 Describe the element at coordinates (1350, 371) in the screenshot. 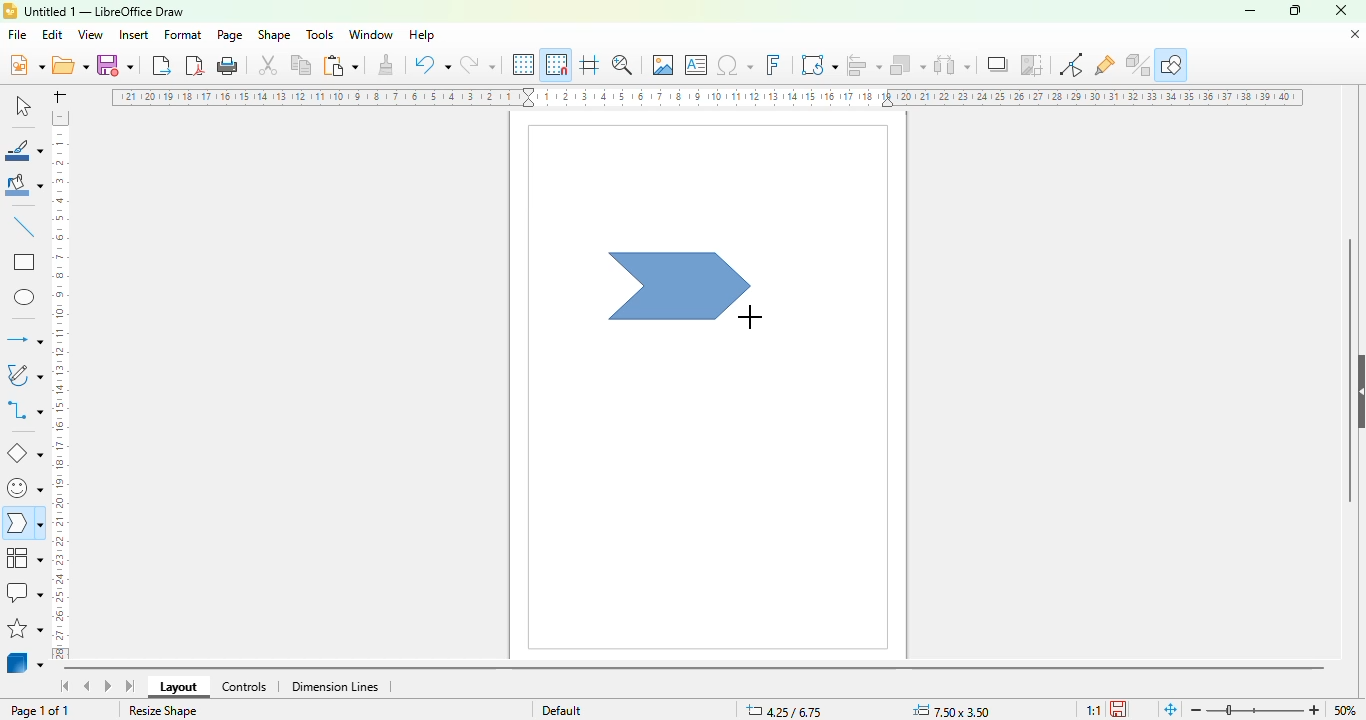

I see `vertical scroll bar` at that location.